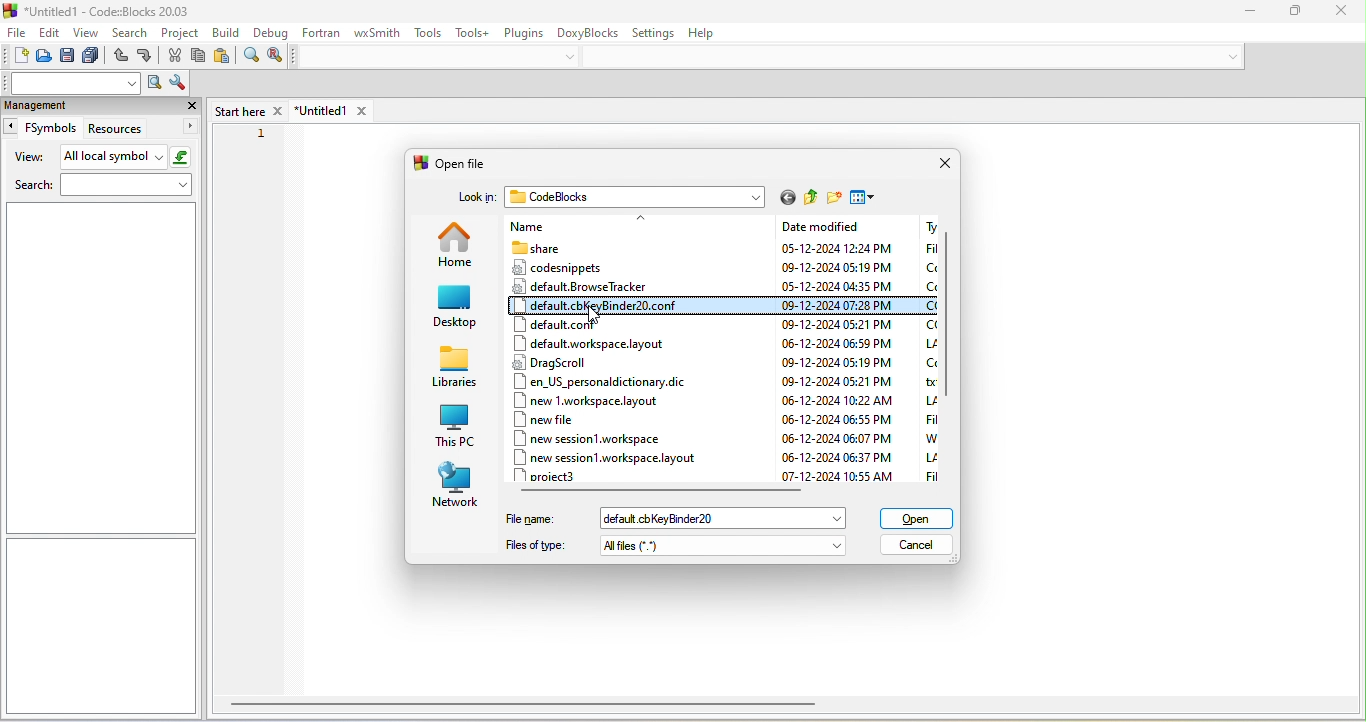 This screenshot has height=722, width=1366. Describe the element at coordinates (636, 198) in the screenshot. I see `code blocks` at that location.